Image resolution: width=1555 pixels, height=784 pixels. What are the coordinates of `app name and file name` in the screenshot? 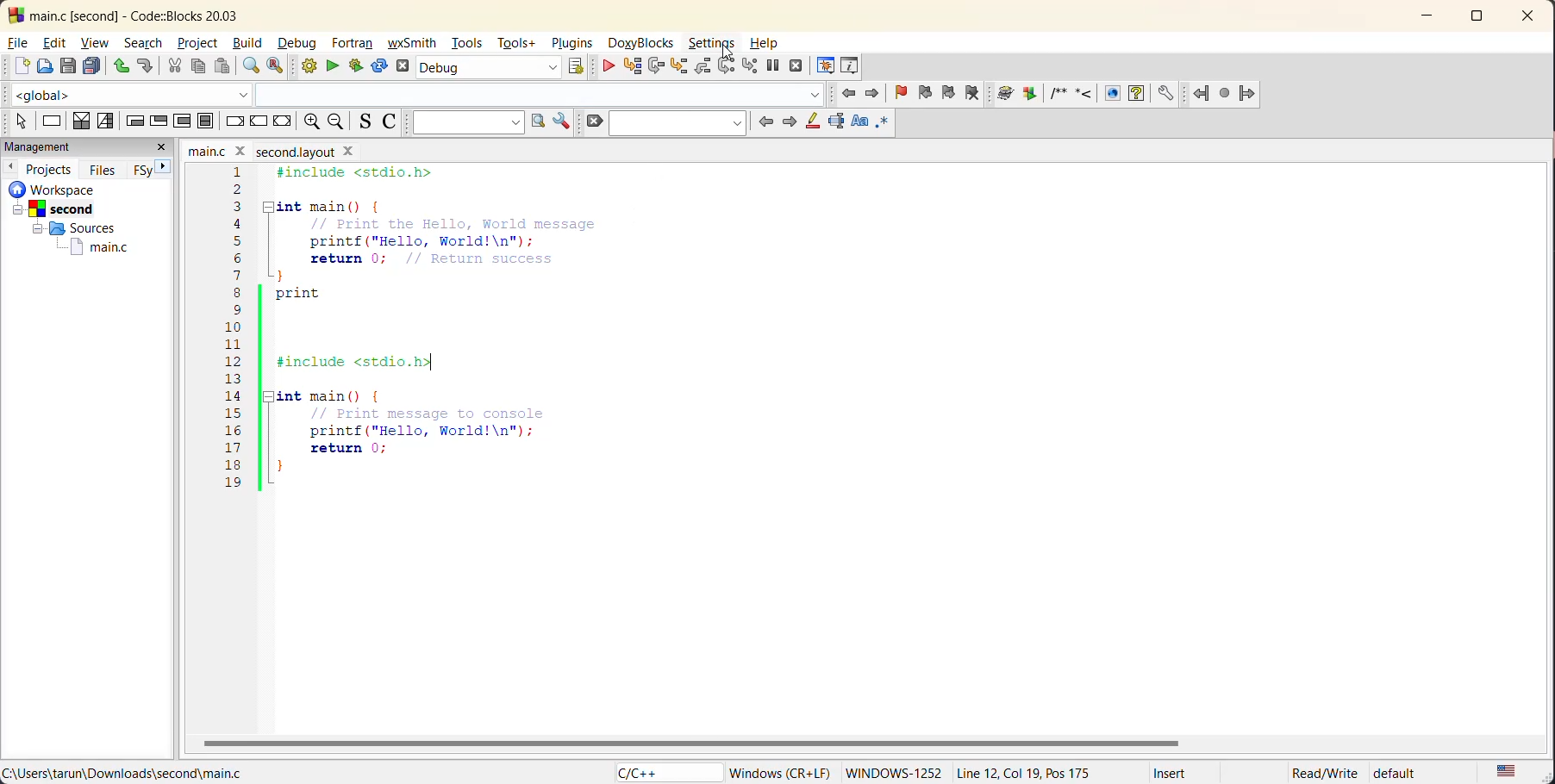 It's located at (150, 14).